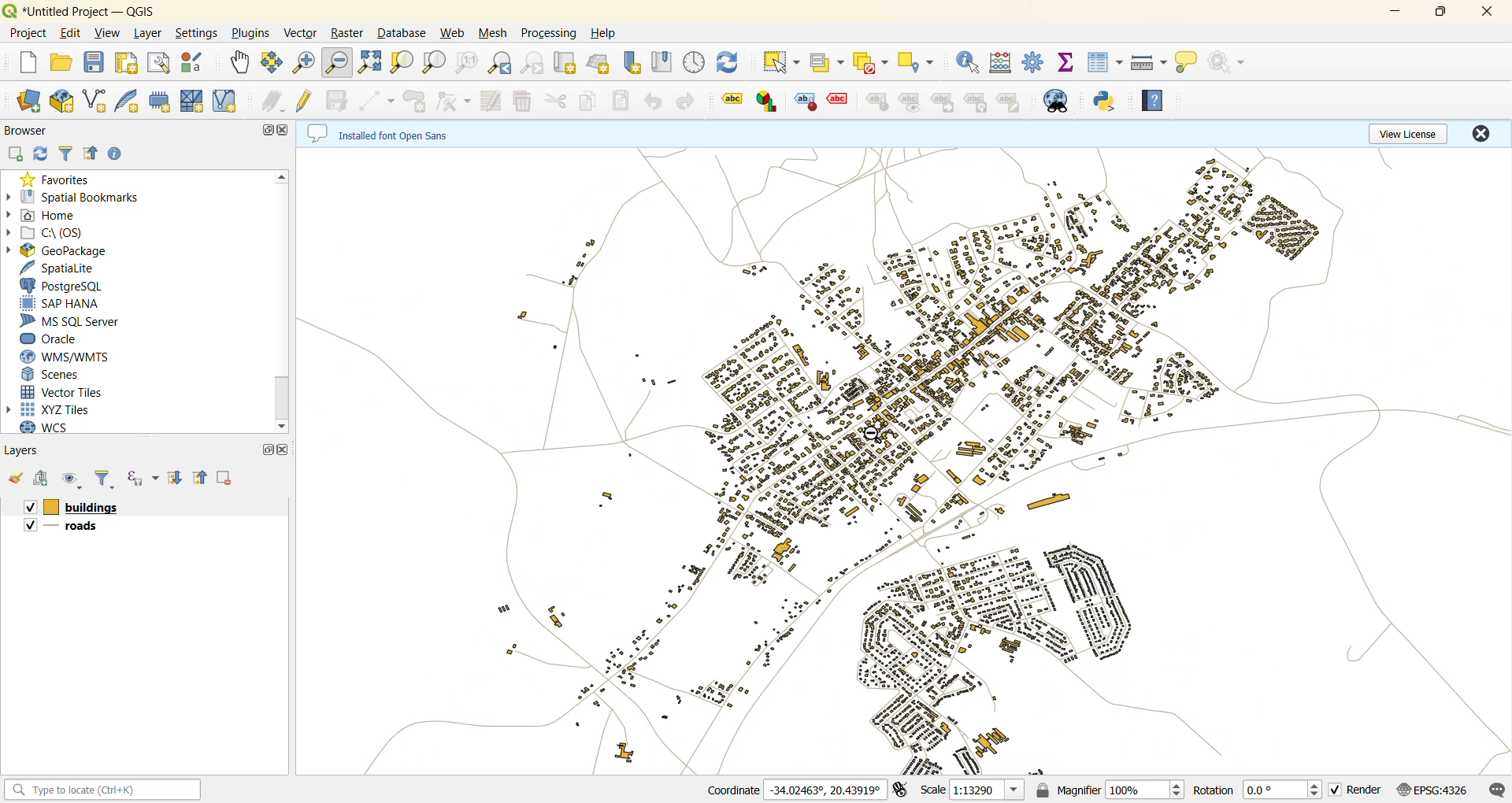 This screenshot has width=1512, height=803. What do you see at coordinates (29, 130) in the screenshot?
I see `browser` at bounding box center [29, 130].